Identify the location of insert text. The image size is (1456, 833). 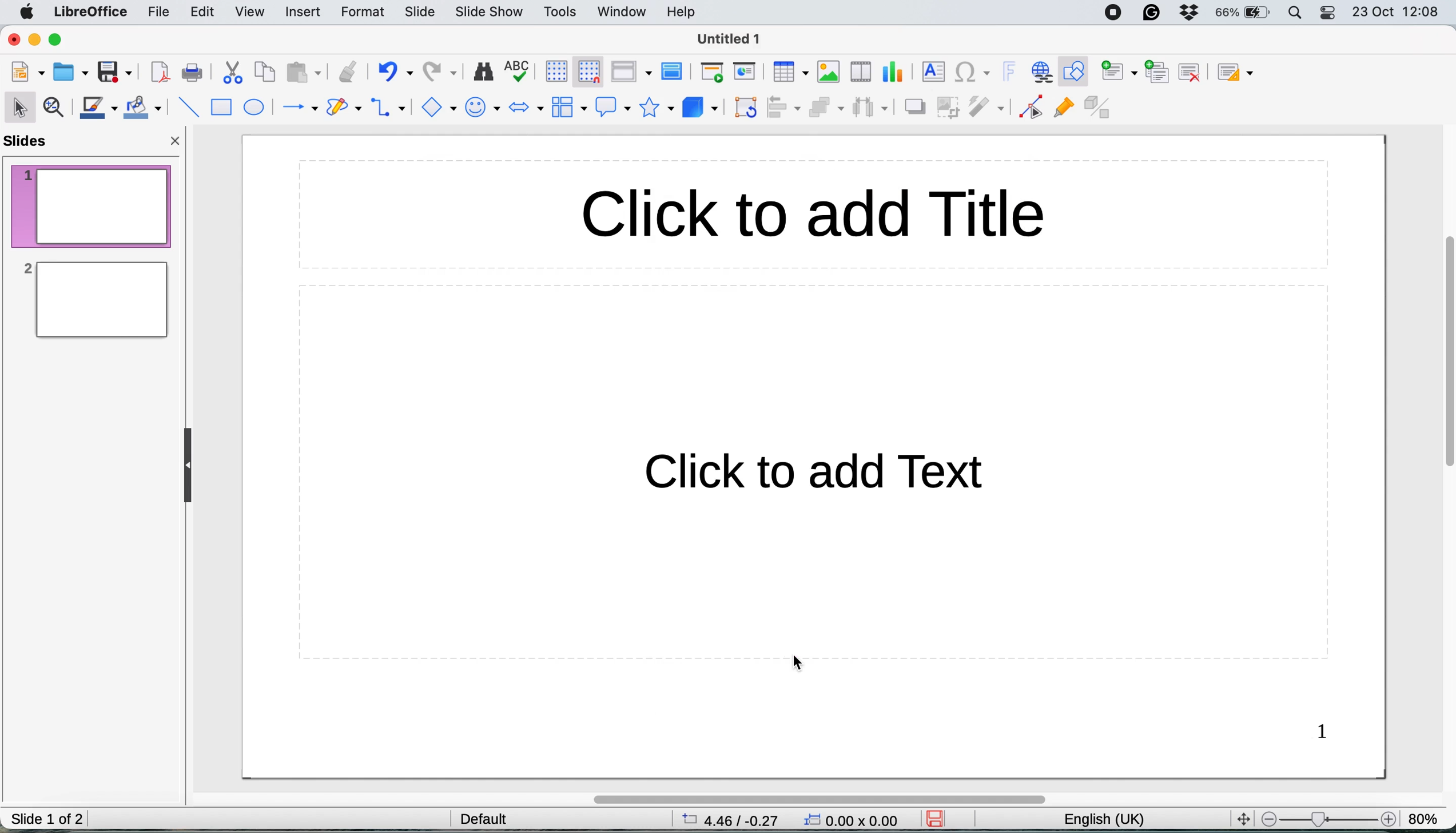
(931, 71).